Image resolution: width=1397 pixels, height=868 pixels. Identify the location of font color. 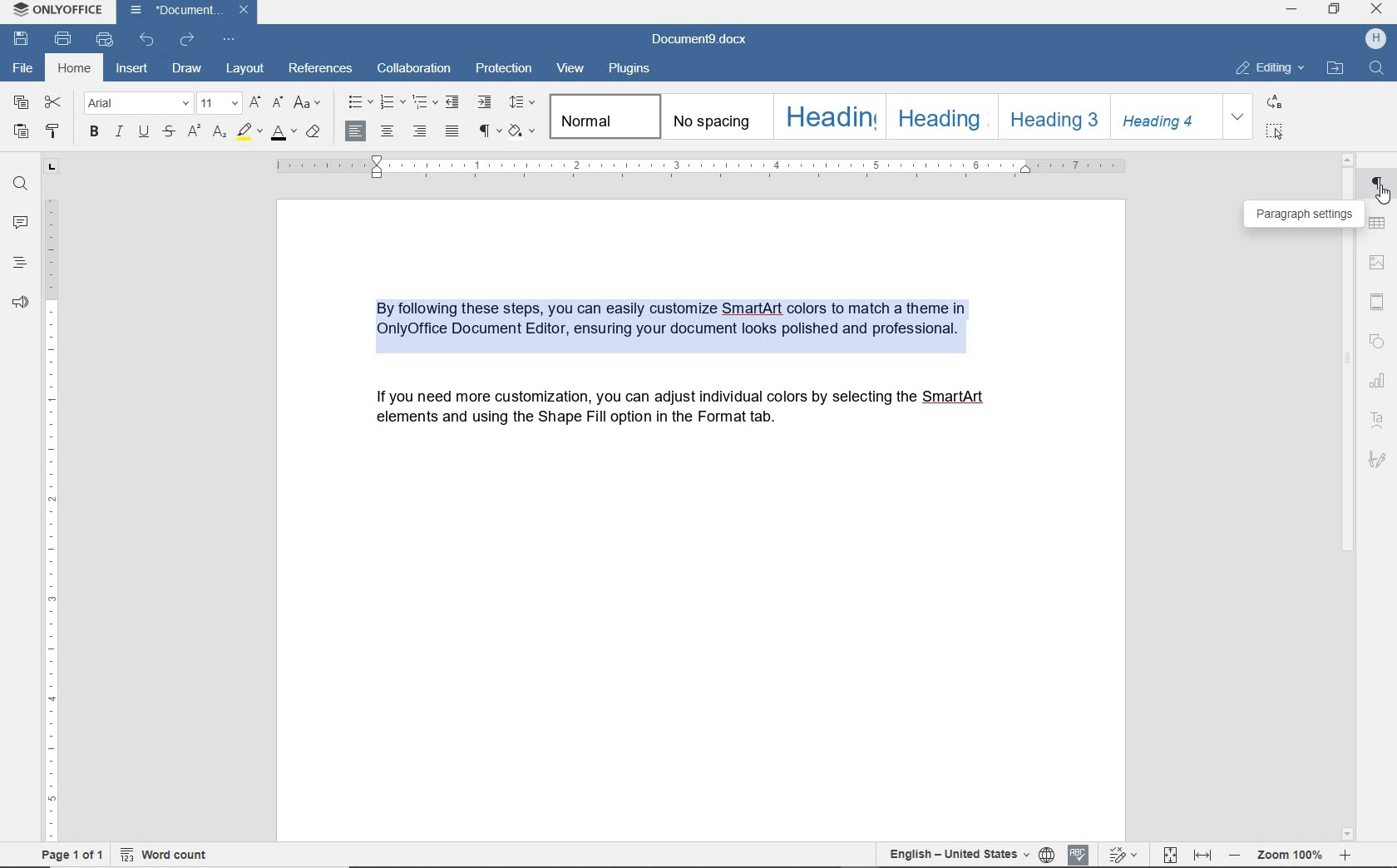
(284, 136).